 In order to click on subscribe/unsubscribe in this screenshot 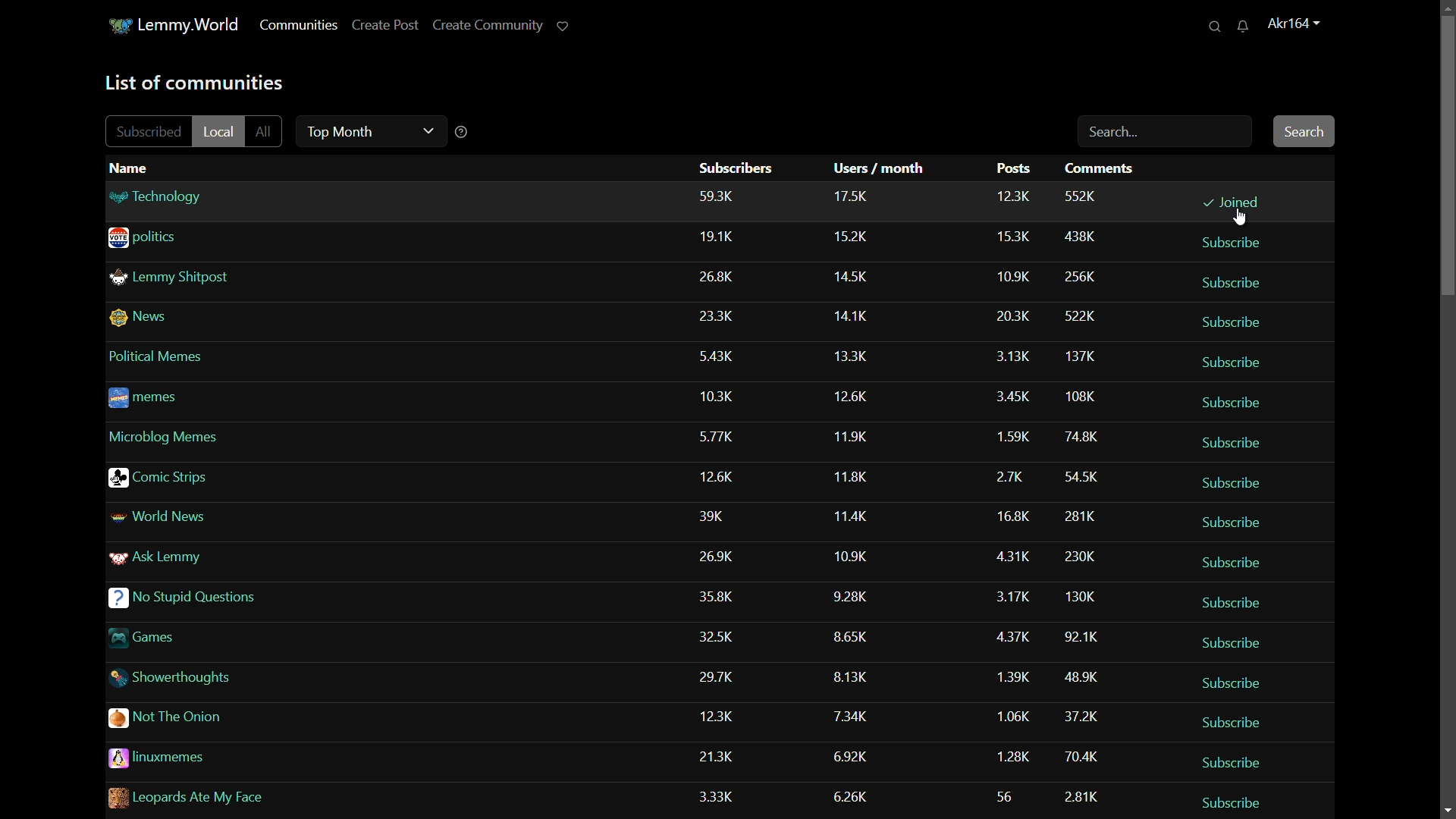, I will do `click(1233, 440)`.